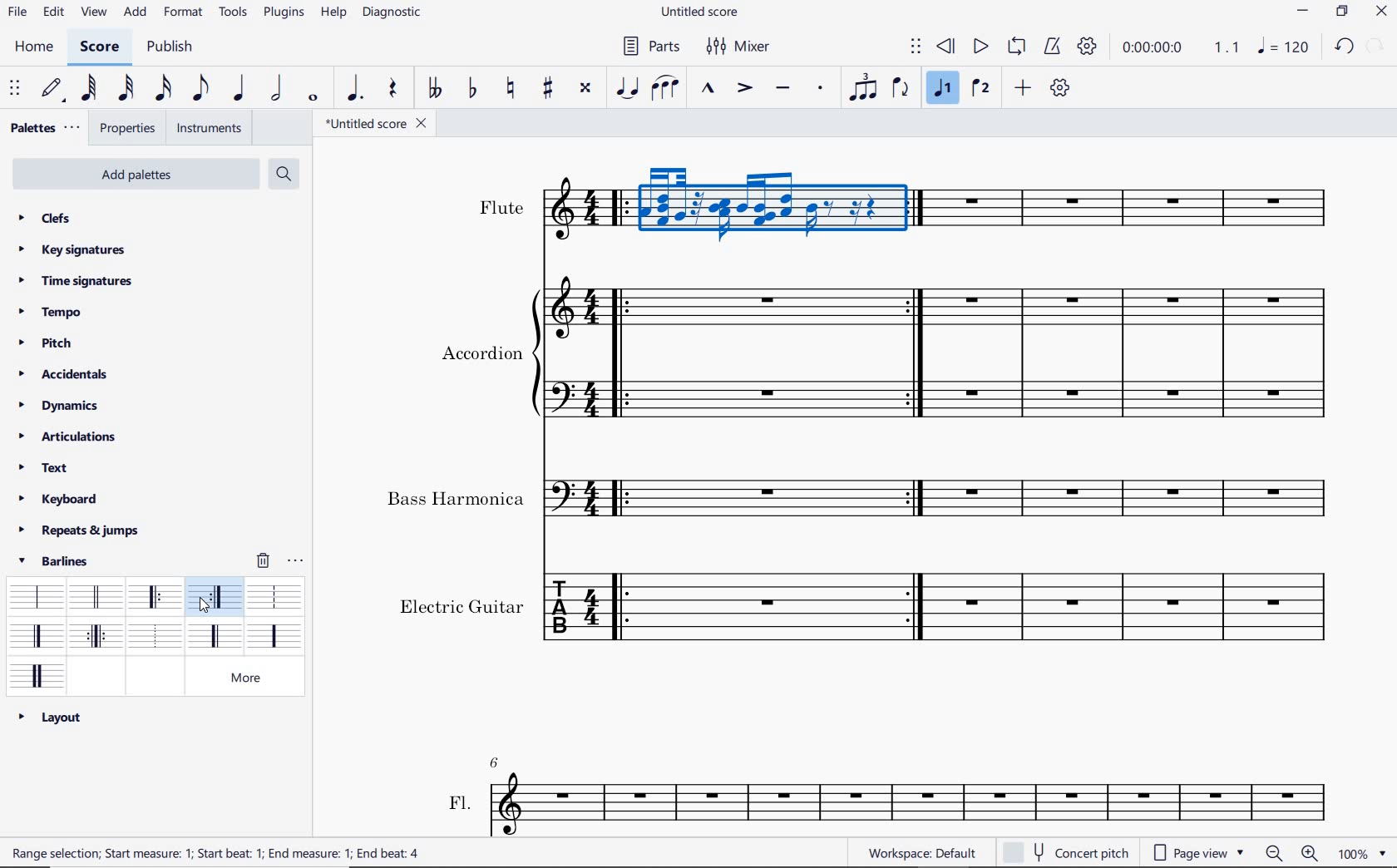  I want to click on concert pitch, so click(1069, 851).